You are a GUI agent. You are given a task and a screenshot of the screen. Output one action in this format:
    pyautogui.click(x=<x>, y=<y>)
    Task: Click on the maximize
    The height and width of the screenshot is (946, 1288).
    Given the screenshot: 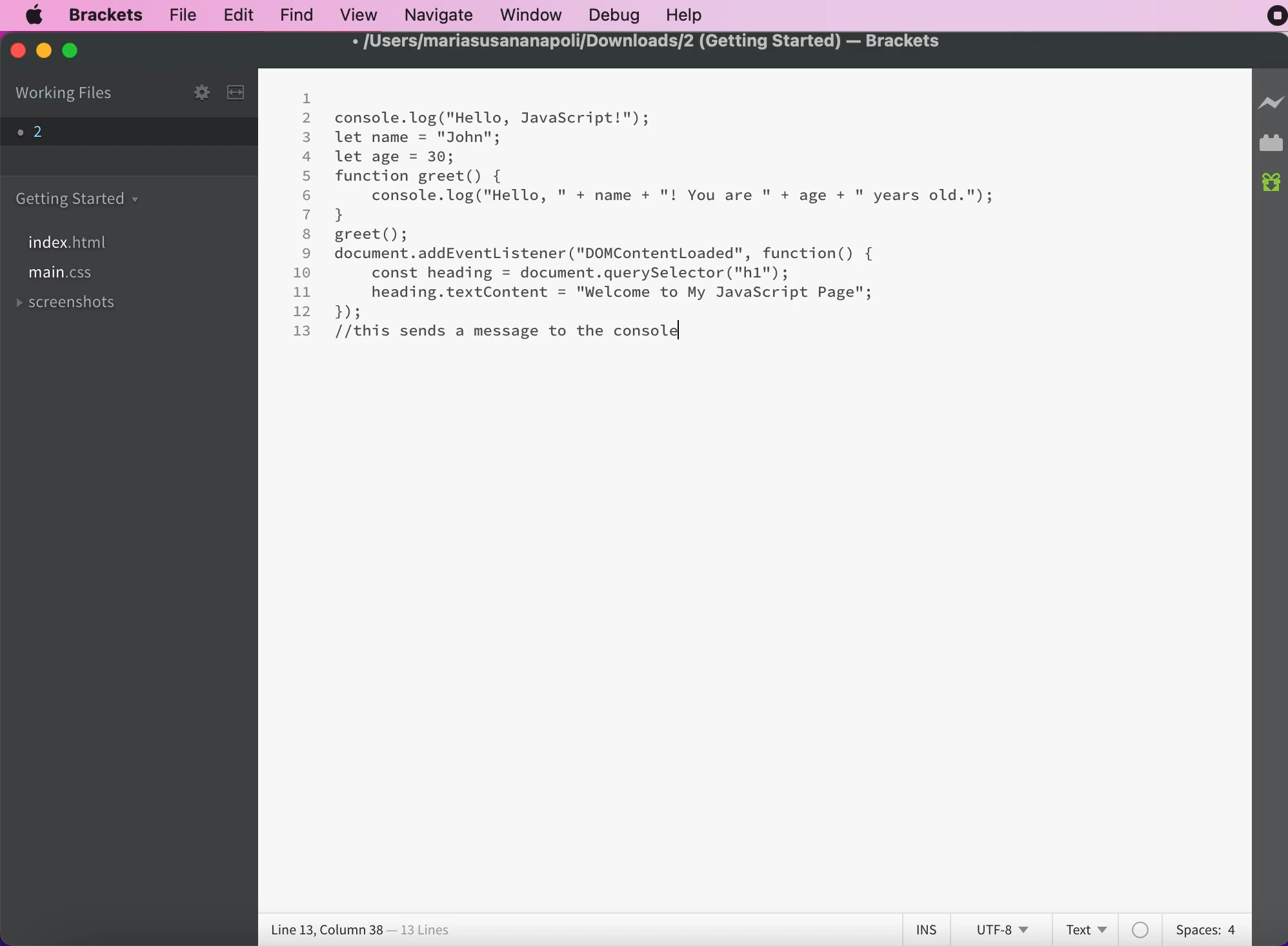 What is the action you would take?
    pyautogui.click(x=75, y=53)
    